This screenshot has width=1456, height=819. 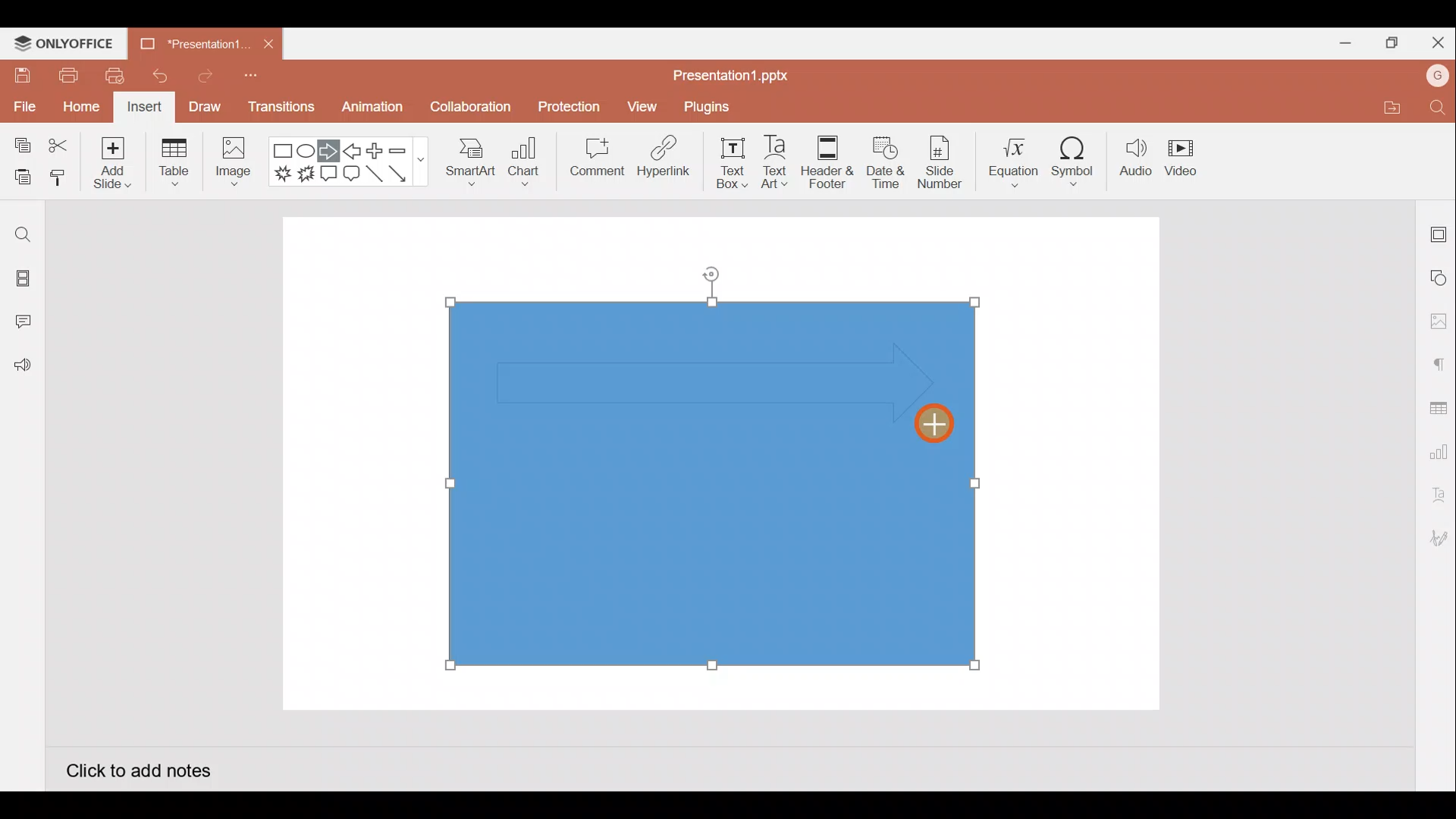 I want to click on Protection, so click(x=565, y=107).